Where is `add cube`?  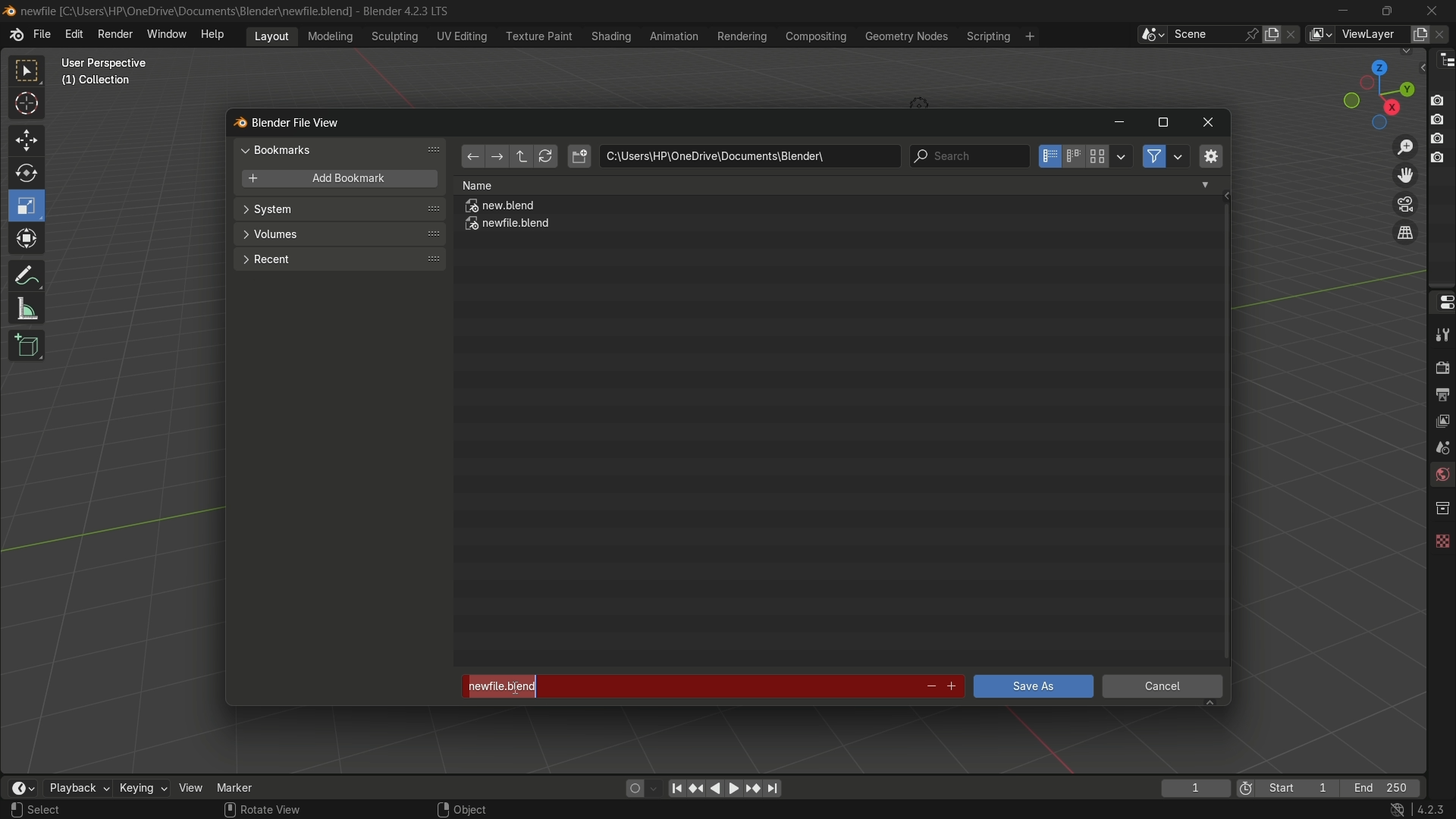
add cube is located at coordinates (24, 347).